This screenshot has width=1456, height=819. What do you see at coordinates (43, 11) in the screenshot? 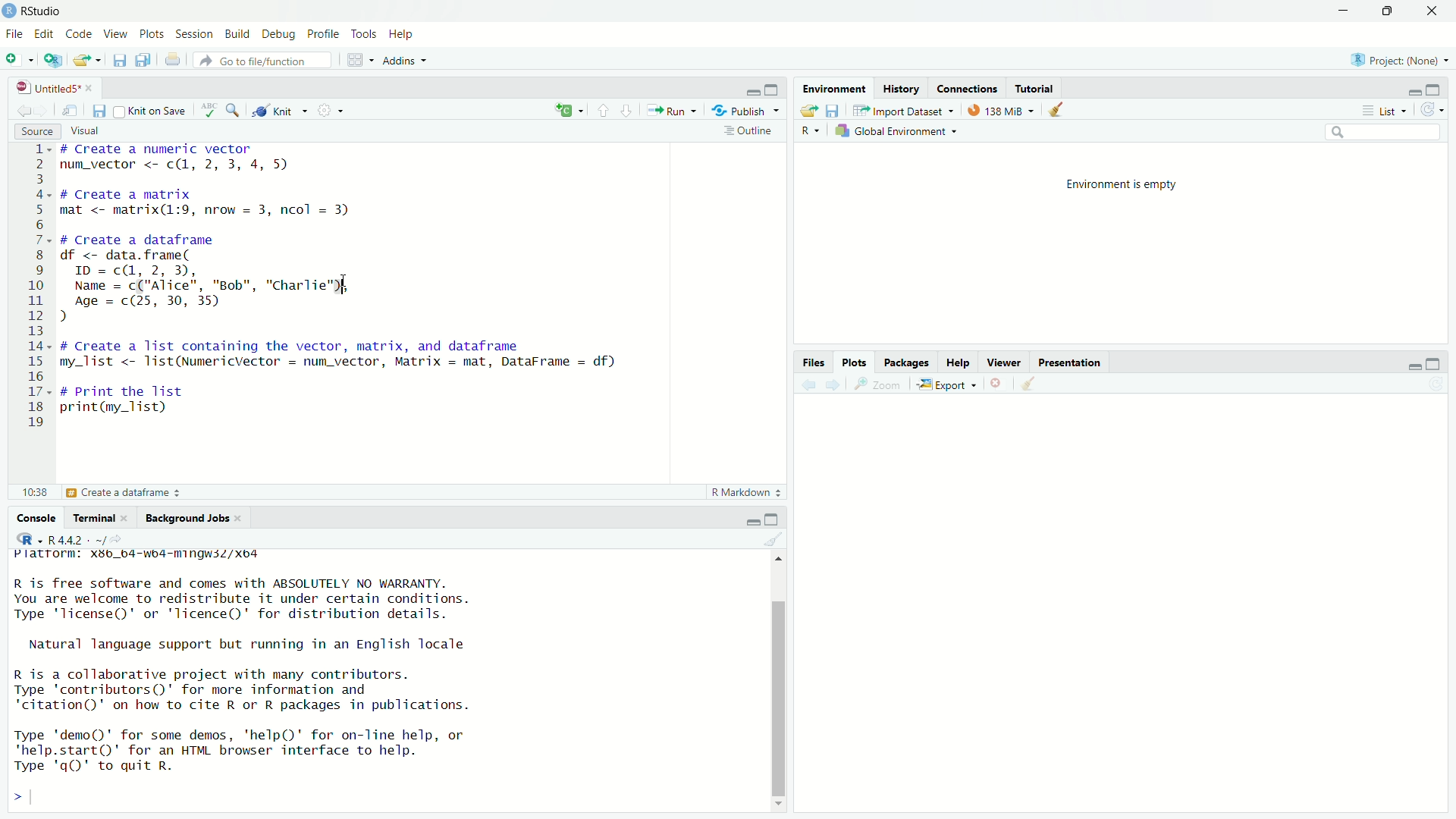
I see `RStudio` at bounding box center [43, 11].